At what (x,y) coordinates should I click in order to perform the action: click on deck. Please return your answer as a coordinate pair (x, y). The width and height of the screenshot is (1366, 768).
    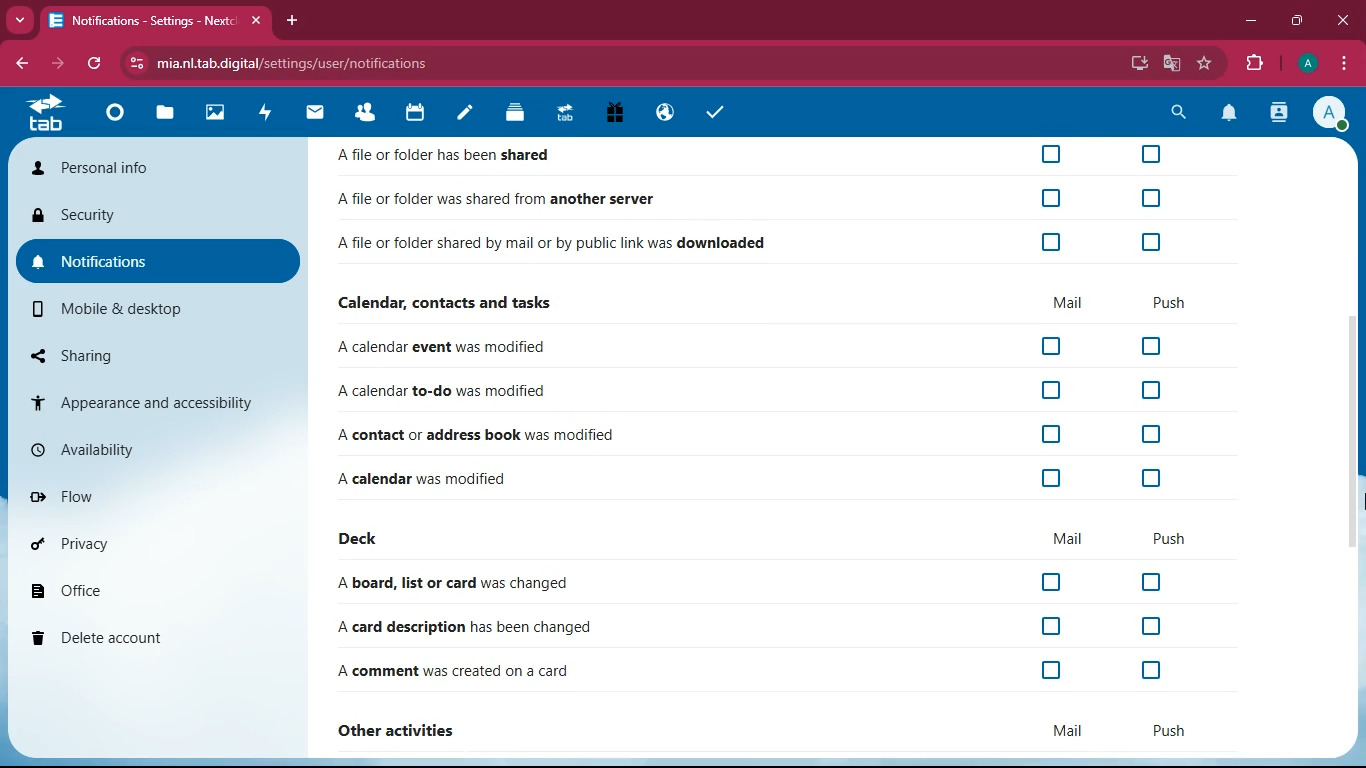
    Looking at the image, I should click on (366, 540).